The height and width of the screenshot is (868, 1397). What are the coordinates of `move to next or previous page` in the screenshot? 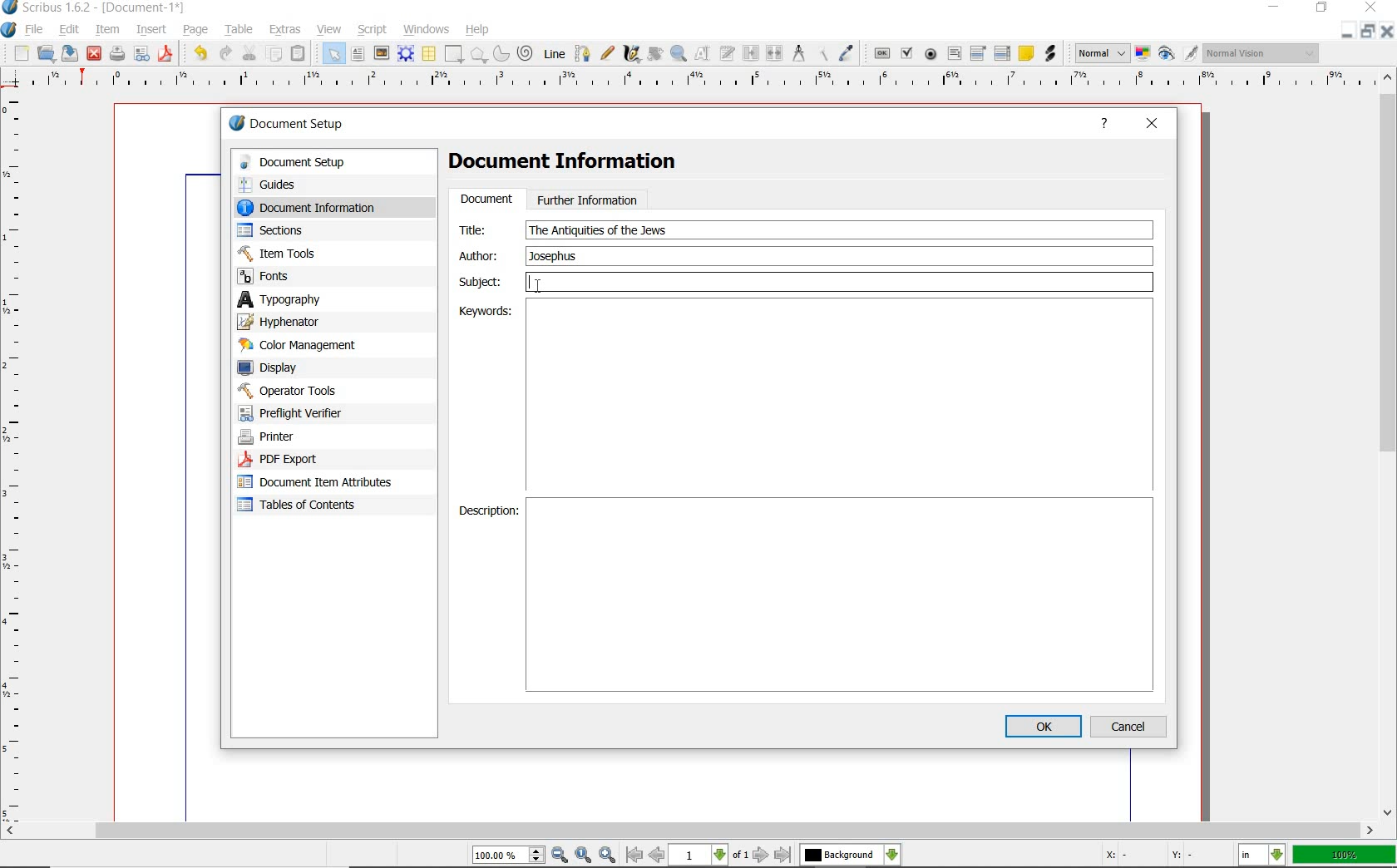 It's located at (710, 856).